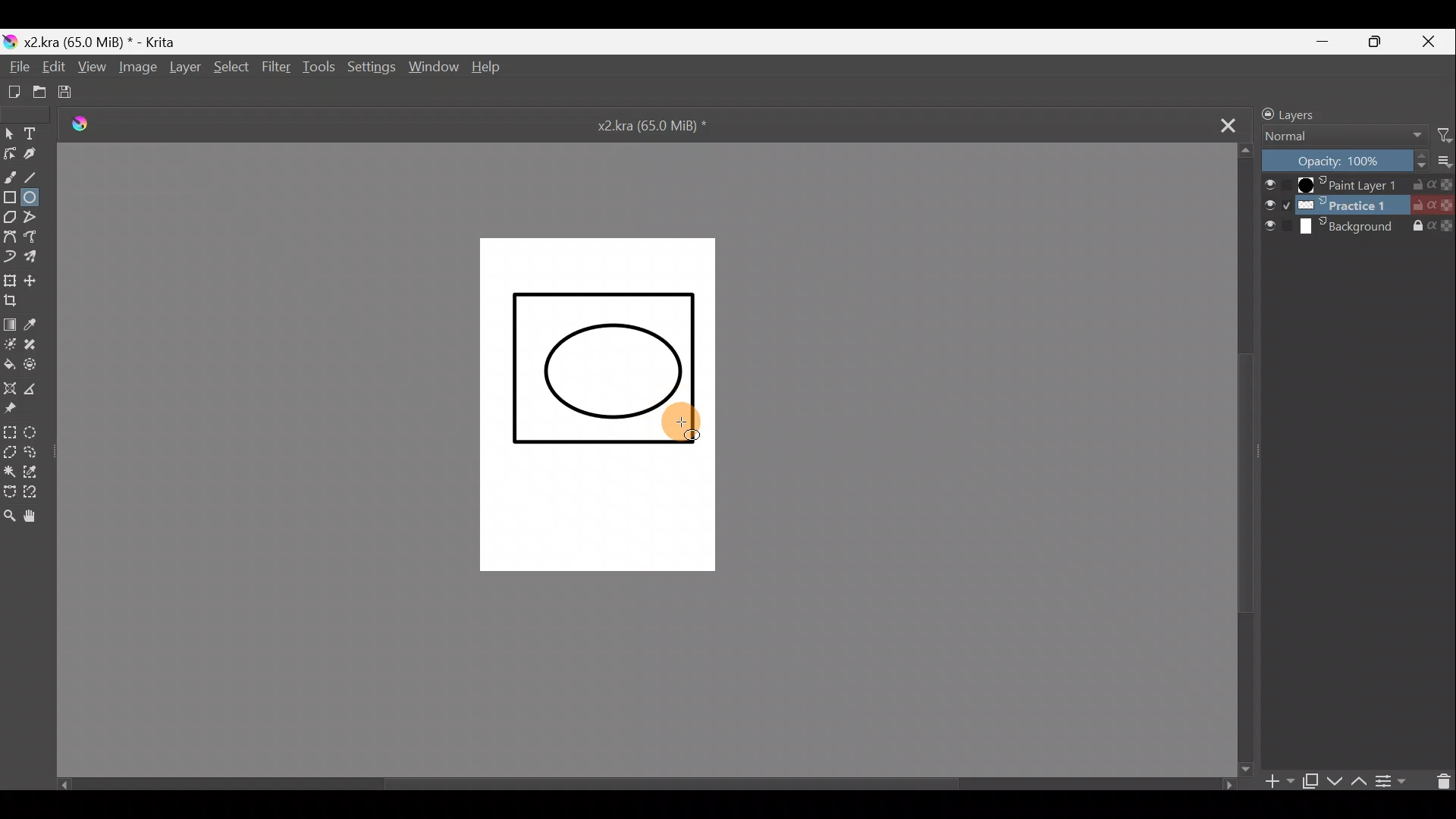  I want to click on Add layer, so click(1275, 781).